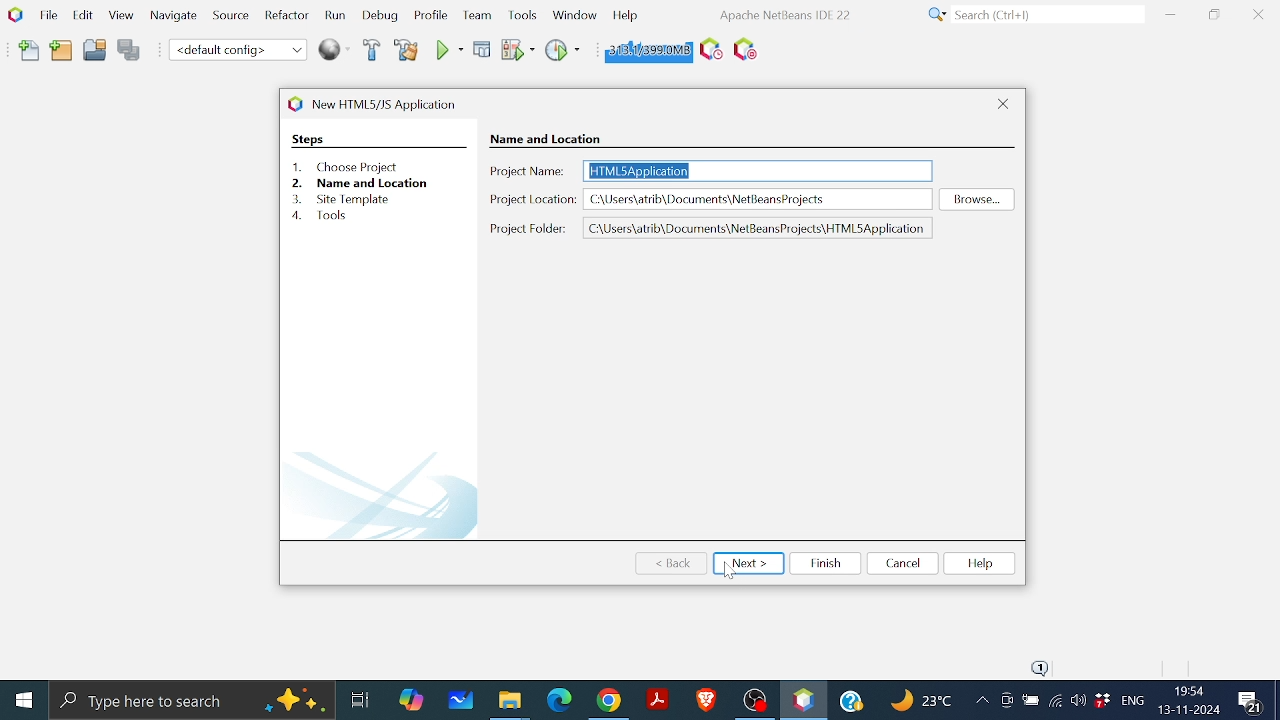  What do you see at coordinates (744, 50) in the screenshot?
I see `Stop Background Task` at bounding box center [744, 50].